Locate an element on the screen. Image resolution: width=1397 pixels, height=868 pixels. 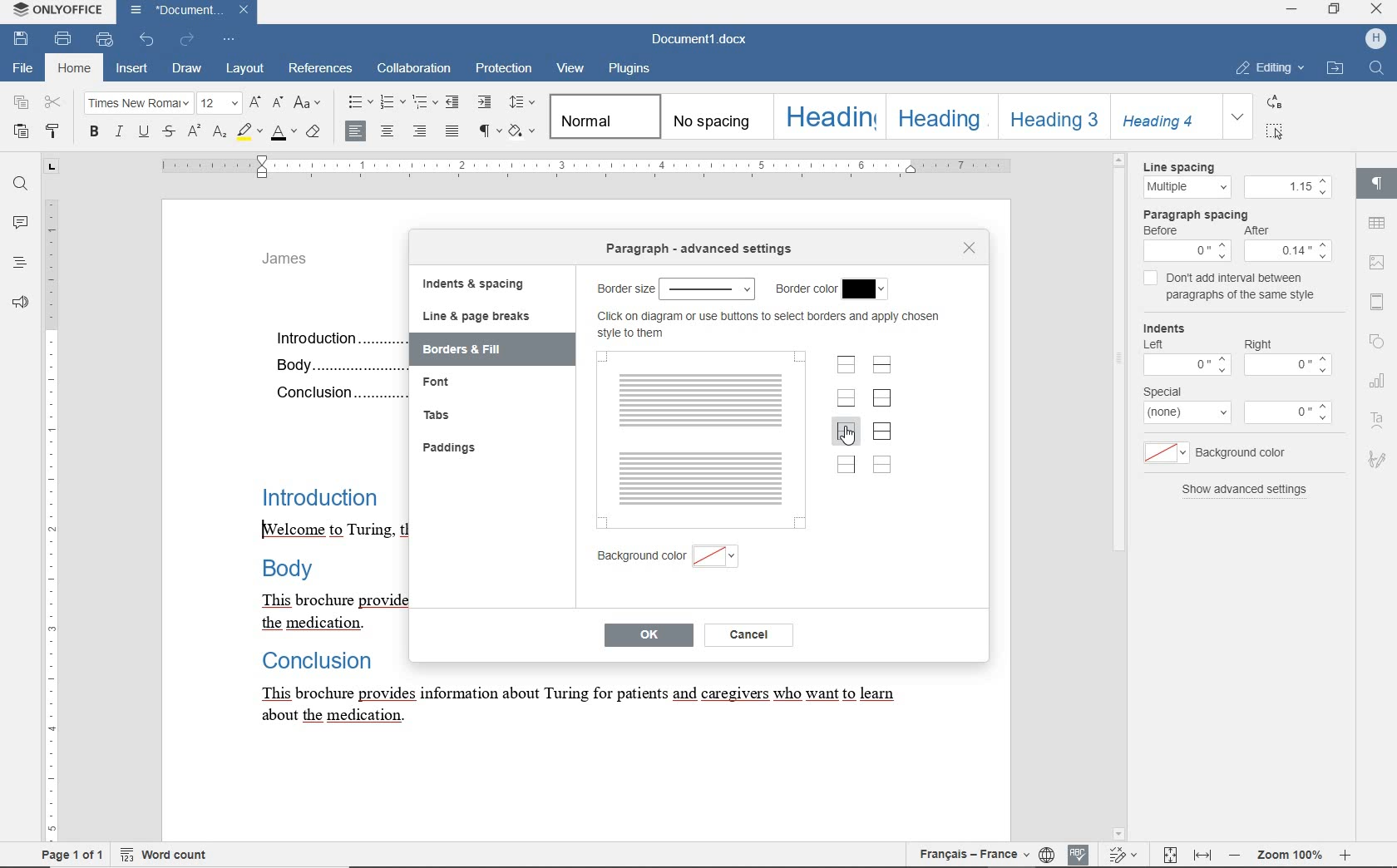
background color is located at coordinates (1251, 452).